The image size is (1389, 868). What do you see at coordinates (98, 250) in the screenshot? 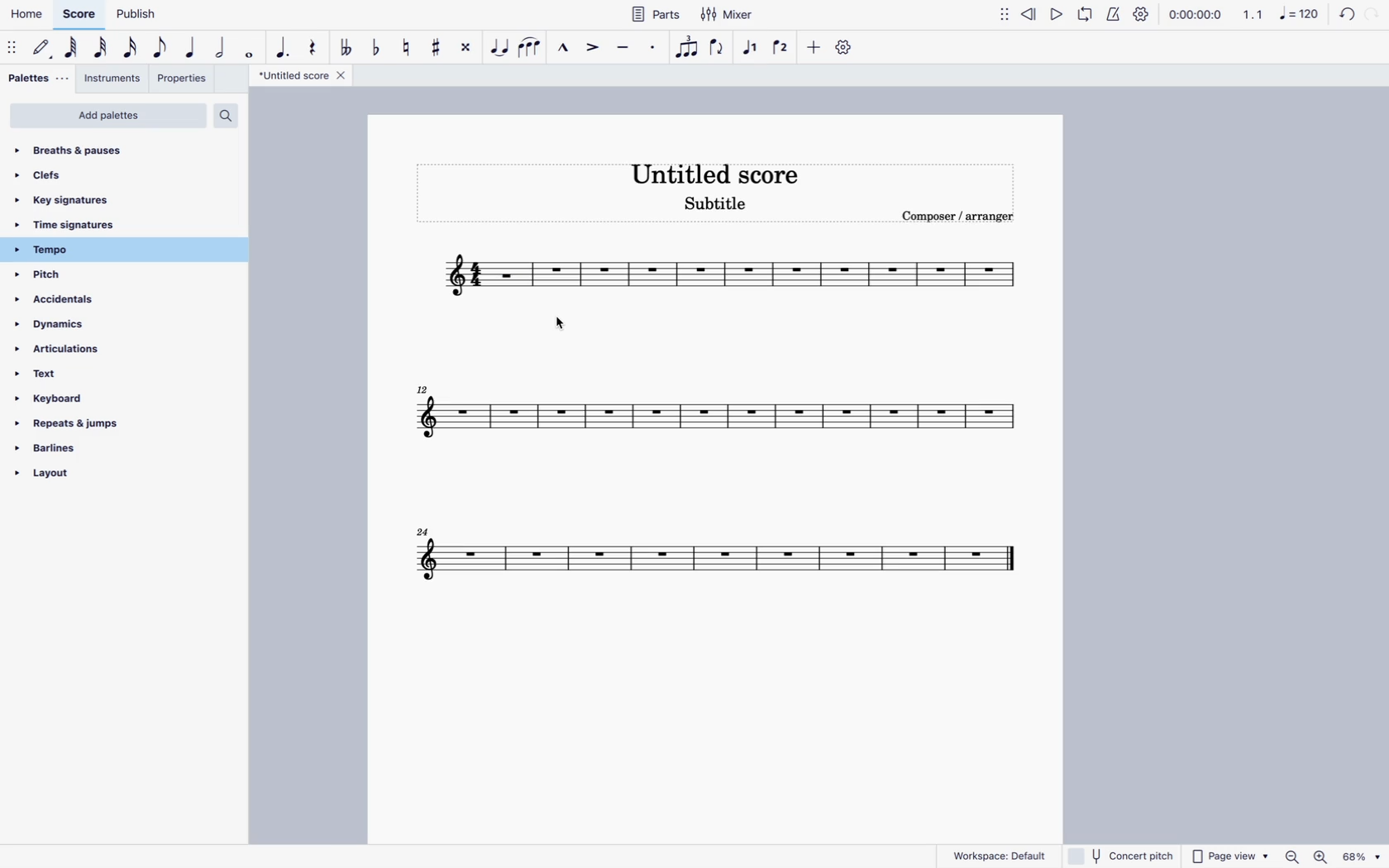
I see `tempo` at bounding box center [98, 250].